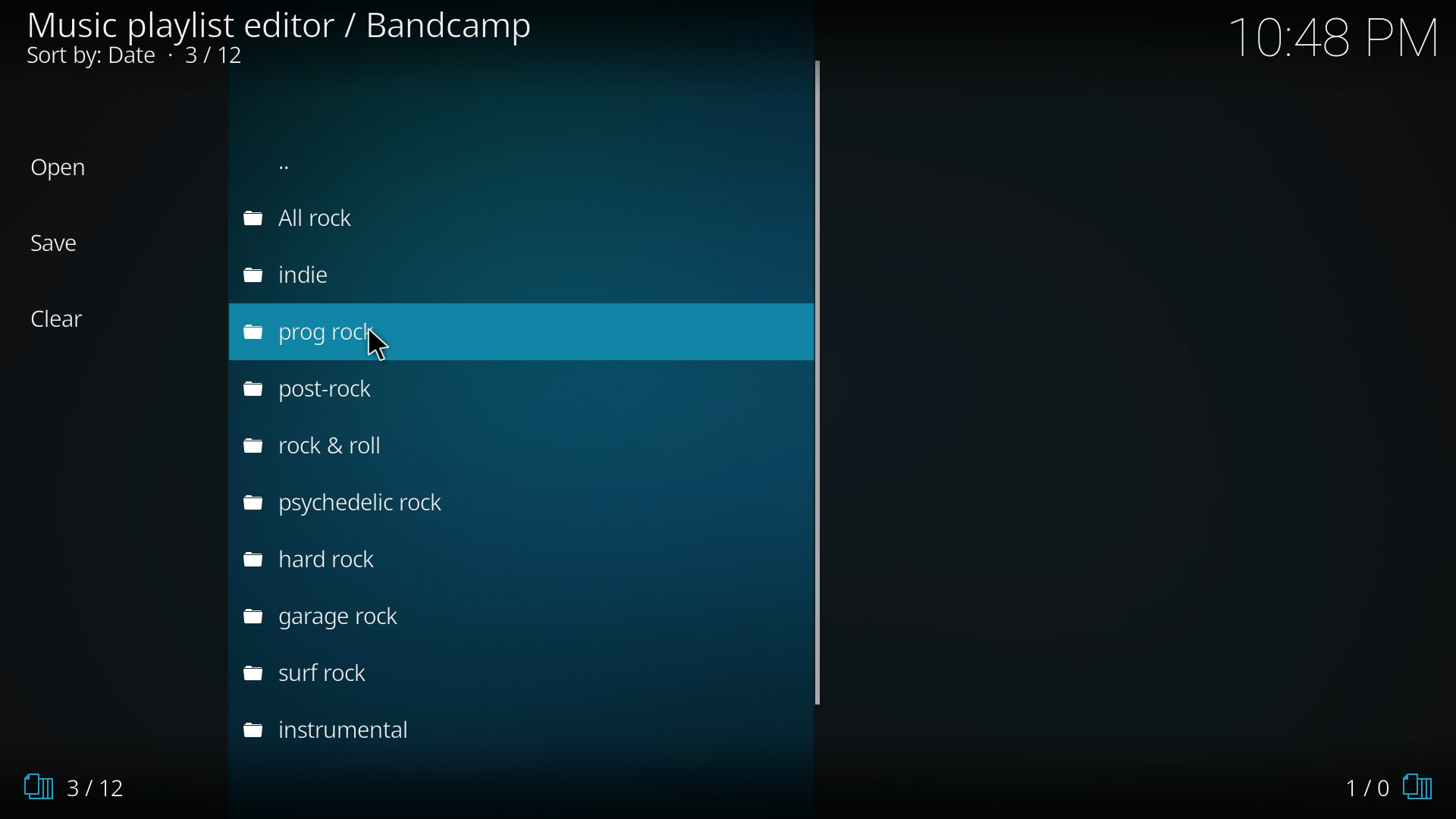 This screenshot has height=819, width=1456. I want to click on 1/0, so click(1385, 787).